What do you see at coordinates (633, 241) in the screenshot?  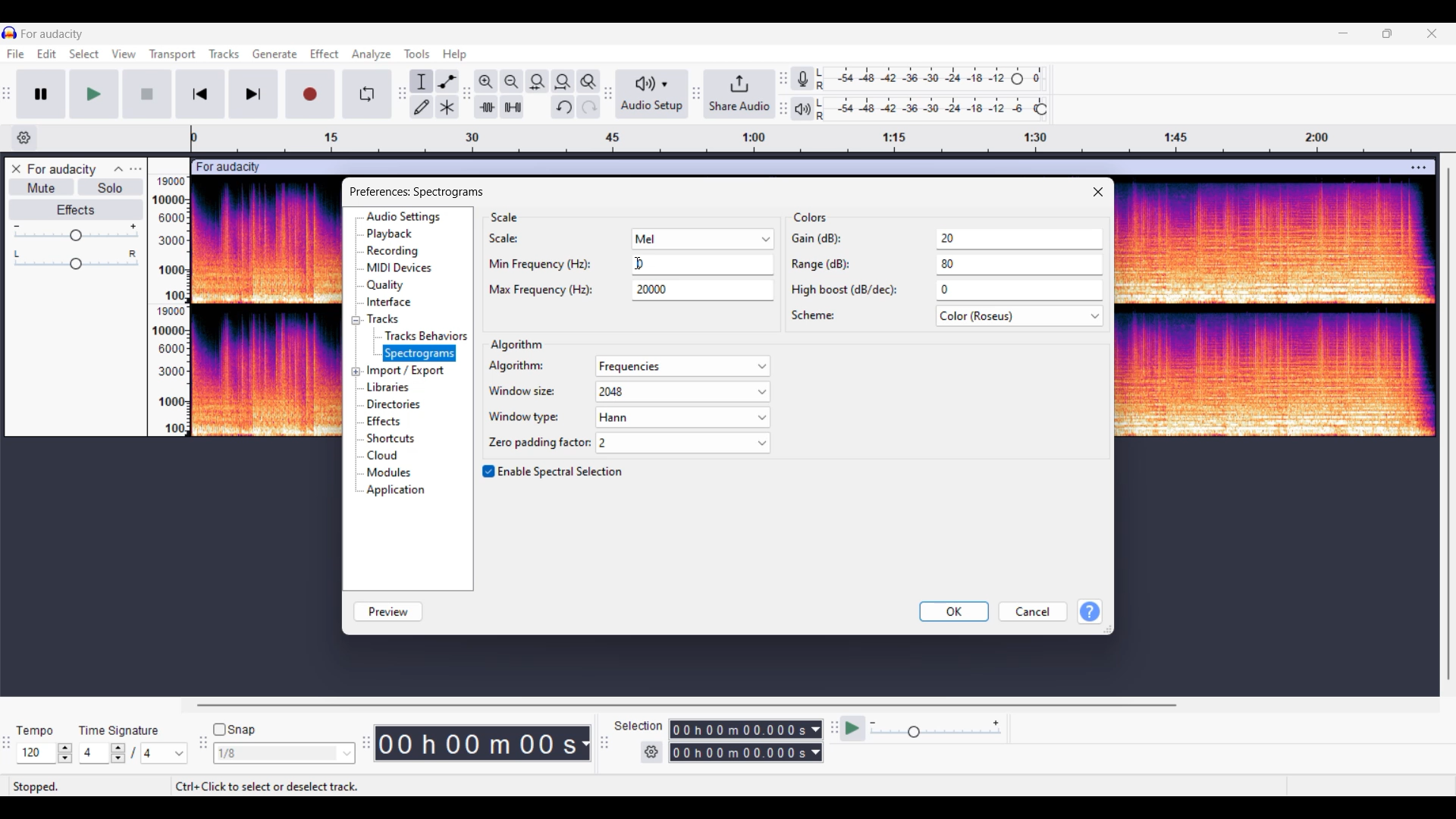 I see `scale` at bounding box center [633, 241].